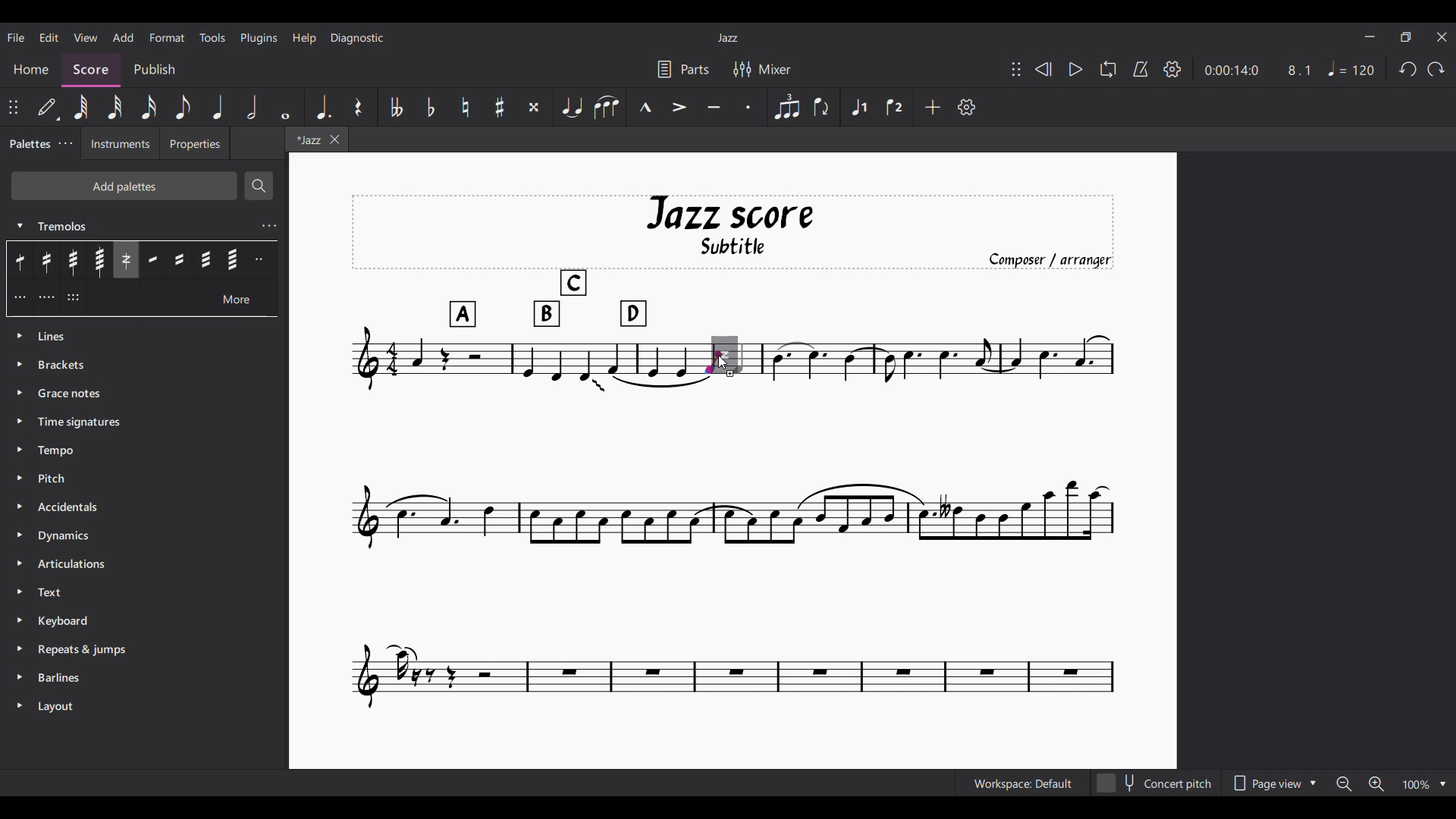  I want to click on Repeats and jumps, so click(143, 650).